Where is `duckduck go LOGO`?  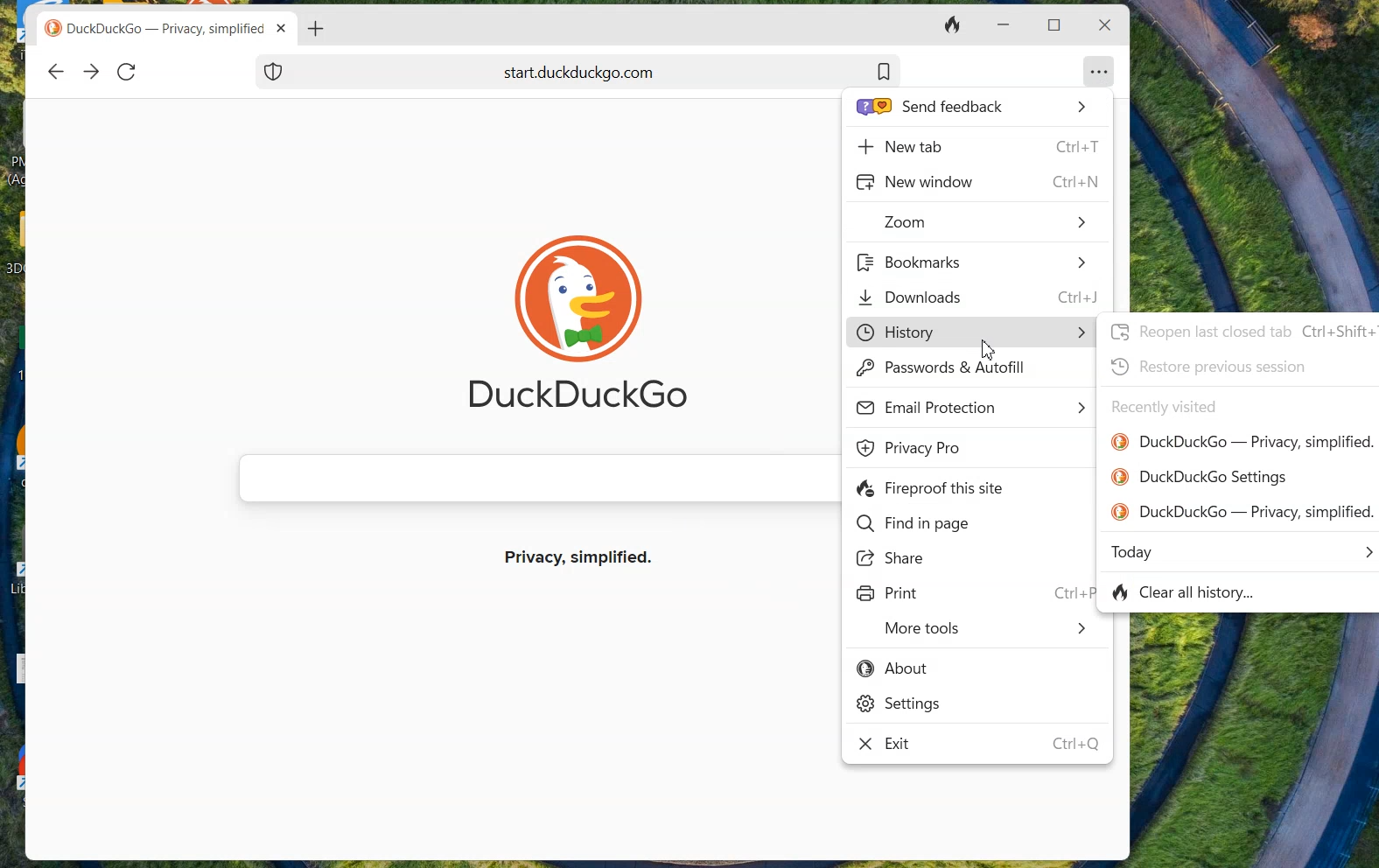
duckduck go LOGO is located at coordinates (576, 272).